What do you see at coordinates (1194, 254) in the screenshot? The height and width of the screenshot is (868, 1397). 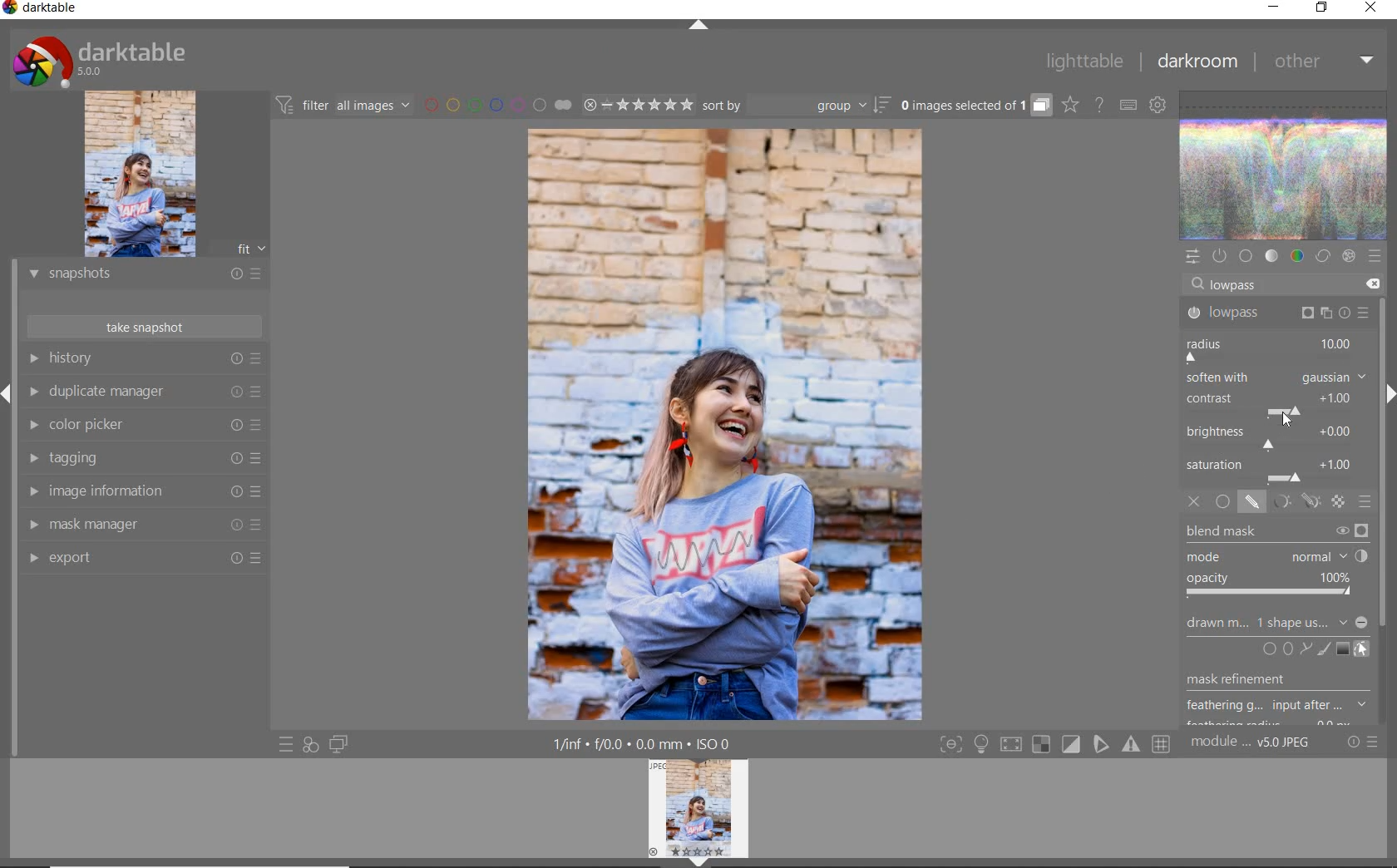 I see `quick access panel` at bounding box center [1194, 254].